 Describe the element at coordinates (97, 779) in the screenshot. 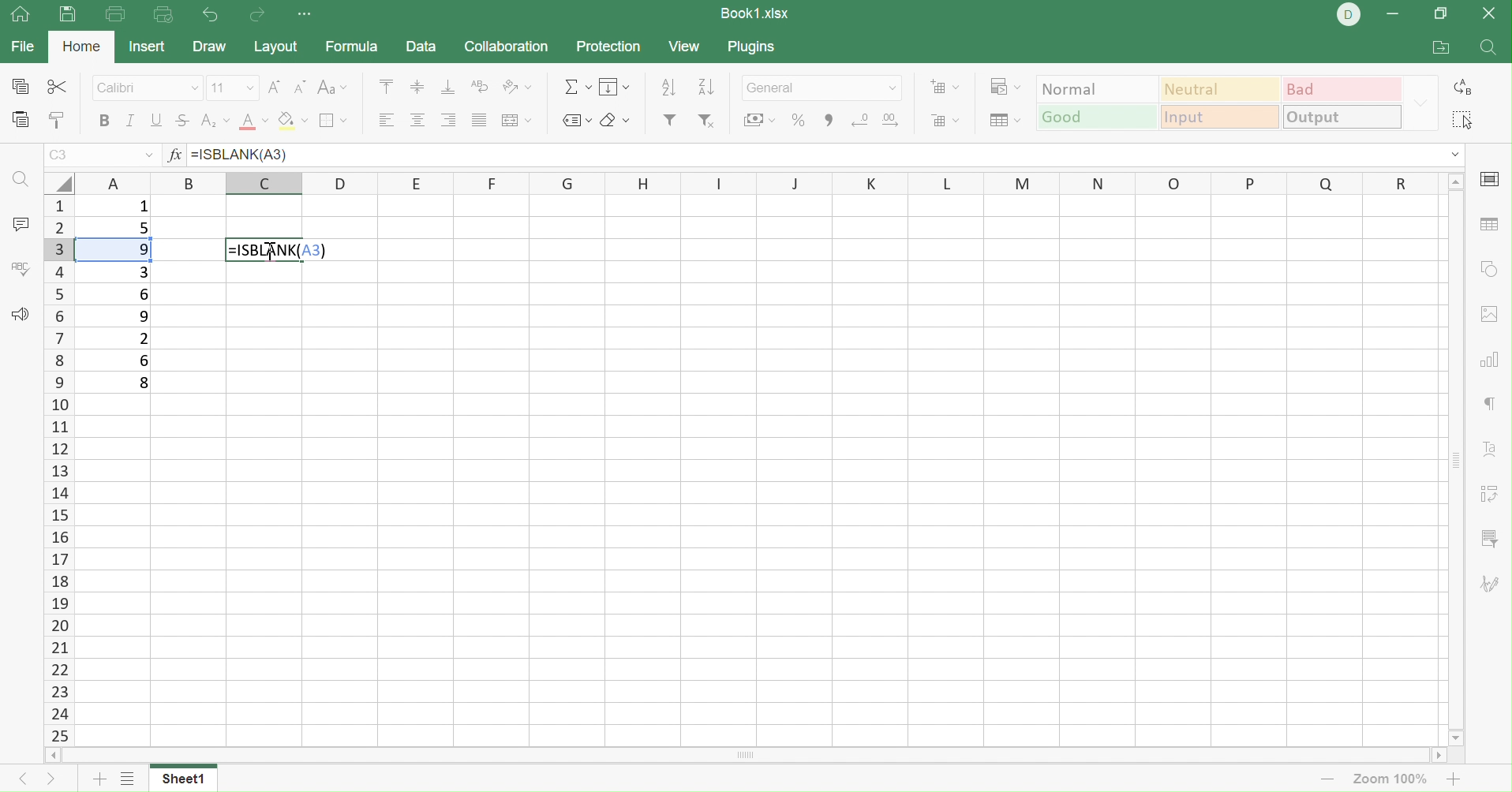

I see `Add sheet` at that location.